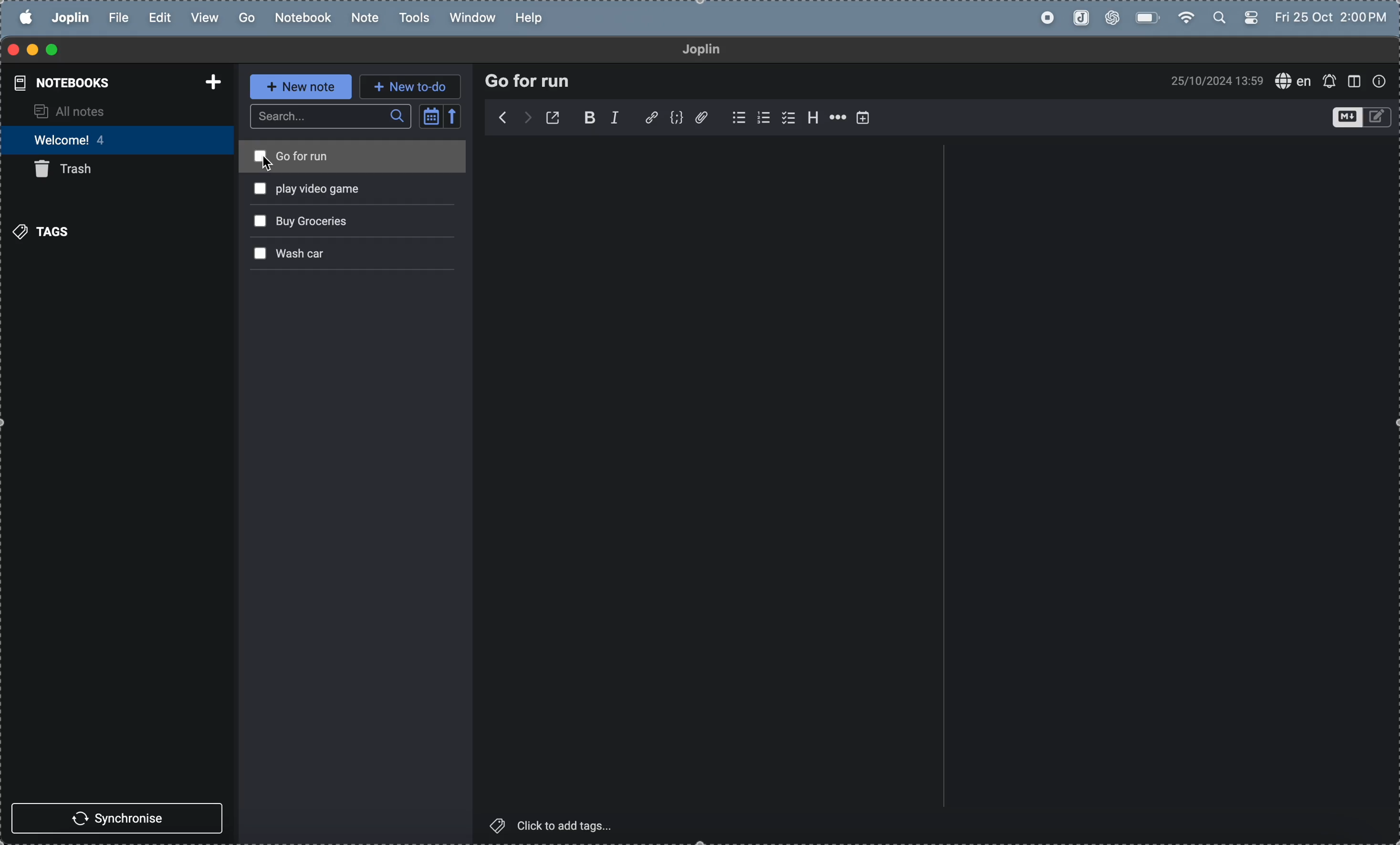 The image size is (1400, 845). Describe the element at coordinates (703, 118) in the screenshot. I see `attach file` at that location.